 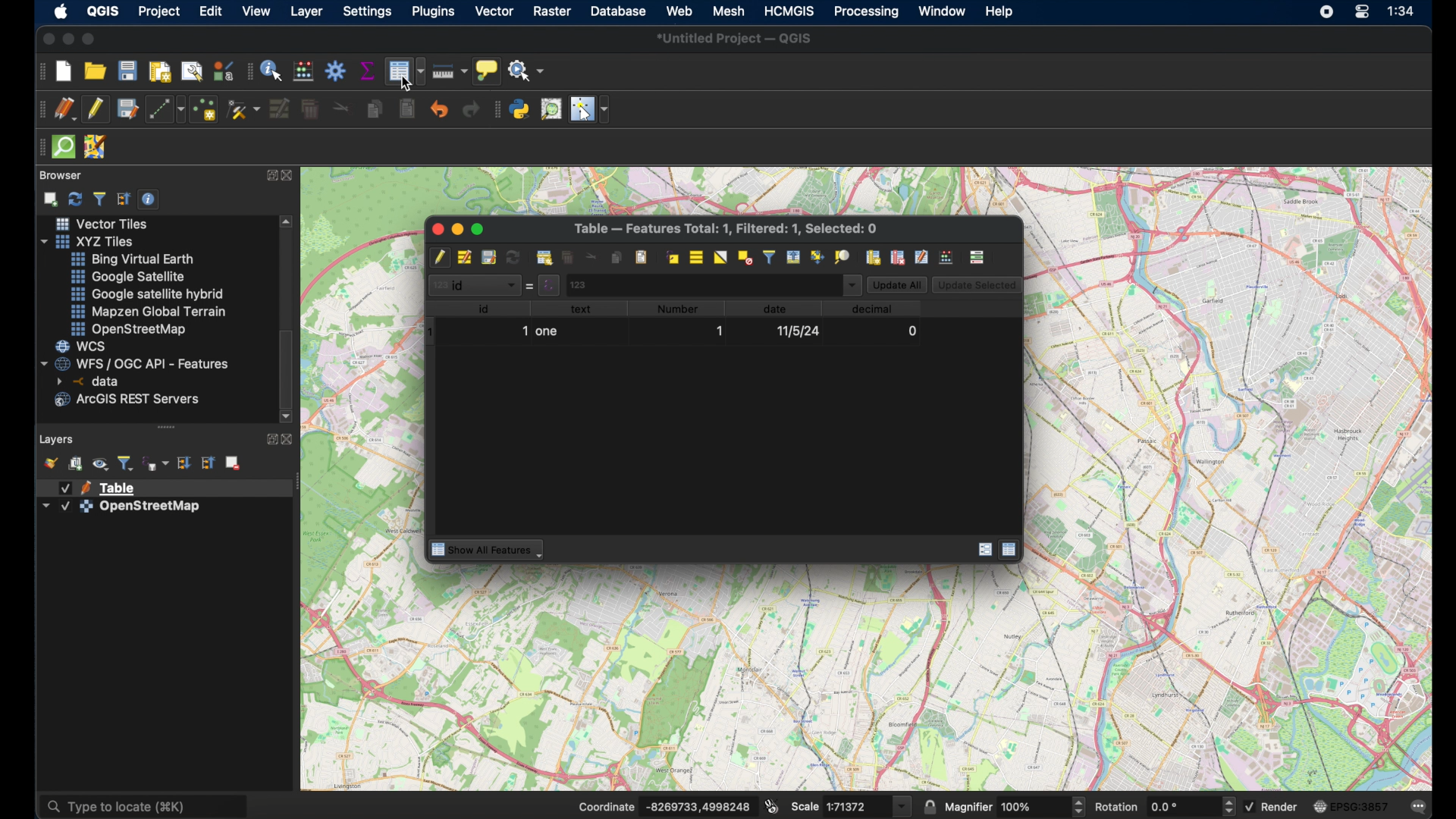 I want to click on switched mouse to a configurable pointer, so click(x=589, y=109).